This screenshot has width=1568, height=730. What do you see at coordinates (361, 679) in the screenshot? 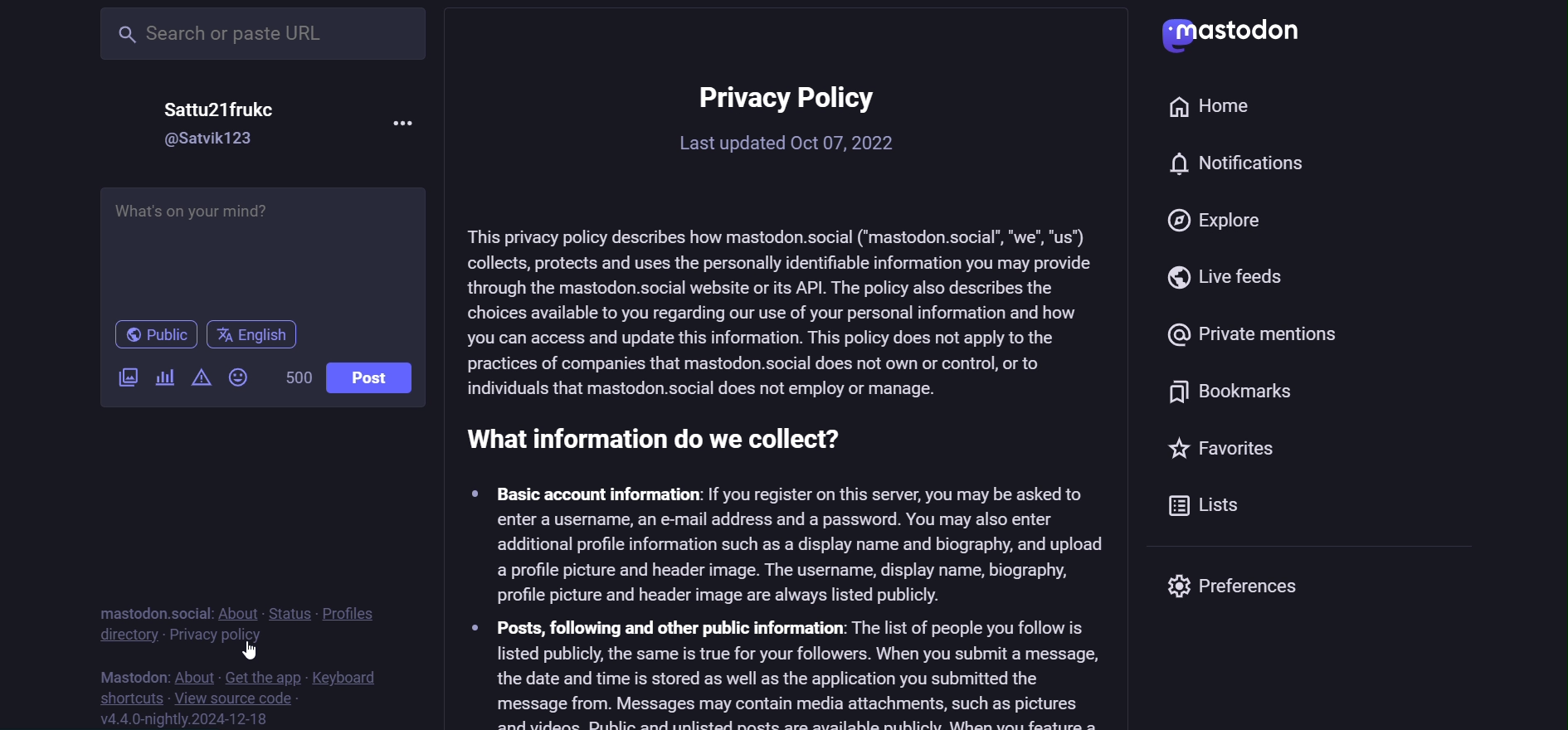
I see `keyboard` at bounding box center [361, 679].